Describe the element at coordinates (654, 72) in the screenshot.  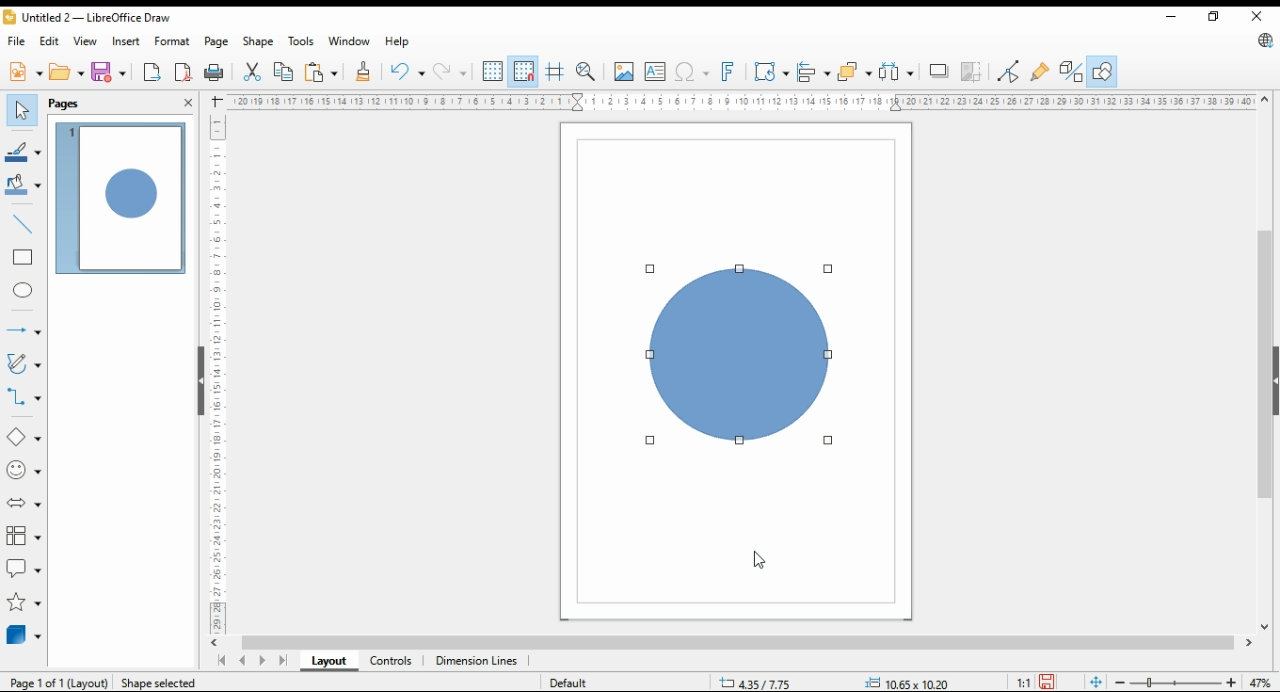
I see `insert text box` at that location.